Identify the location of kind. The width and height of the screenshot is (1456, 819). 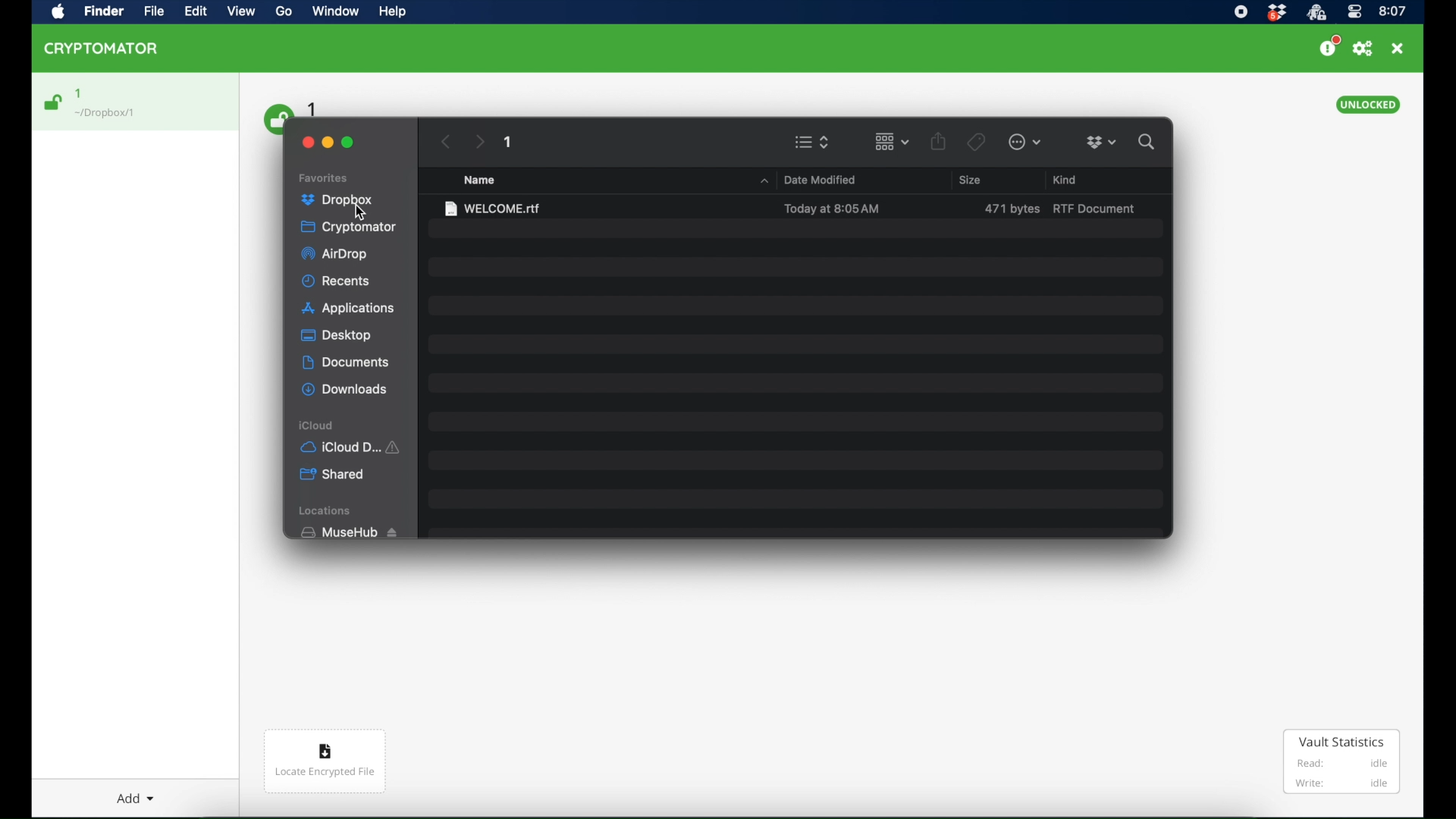
(1065, 178).